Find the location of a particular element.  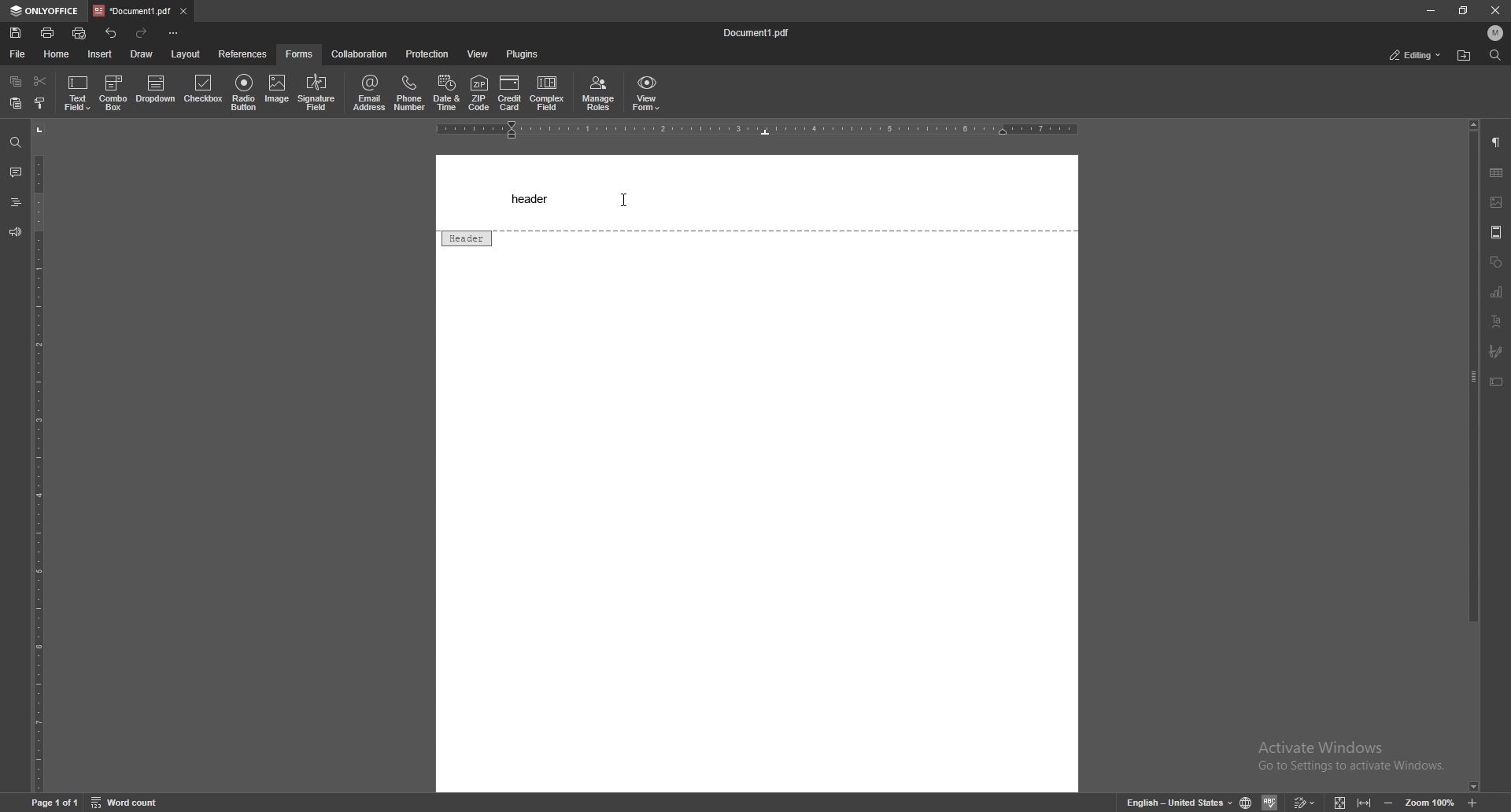

undo is located at coordinates (111, 33).